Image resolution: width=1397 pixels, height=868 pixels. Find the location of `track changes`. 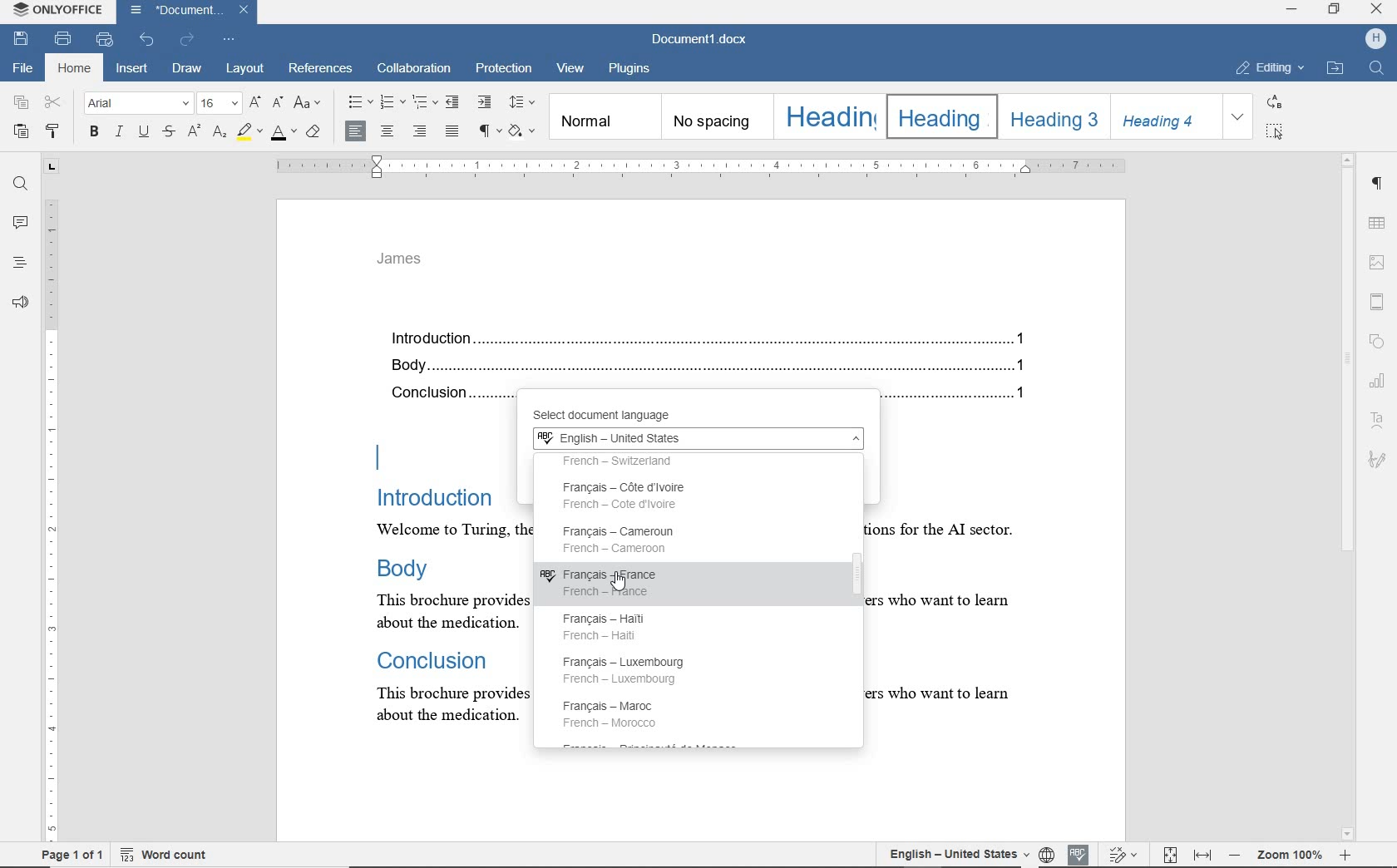

track changes is located at coordinates (1124, 855).